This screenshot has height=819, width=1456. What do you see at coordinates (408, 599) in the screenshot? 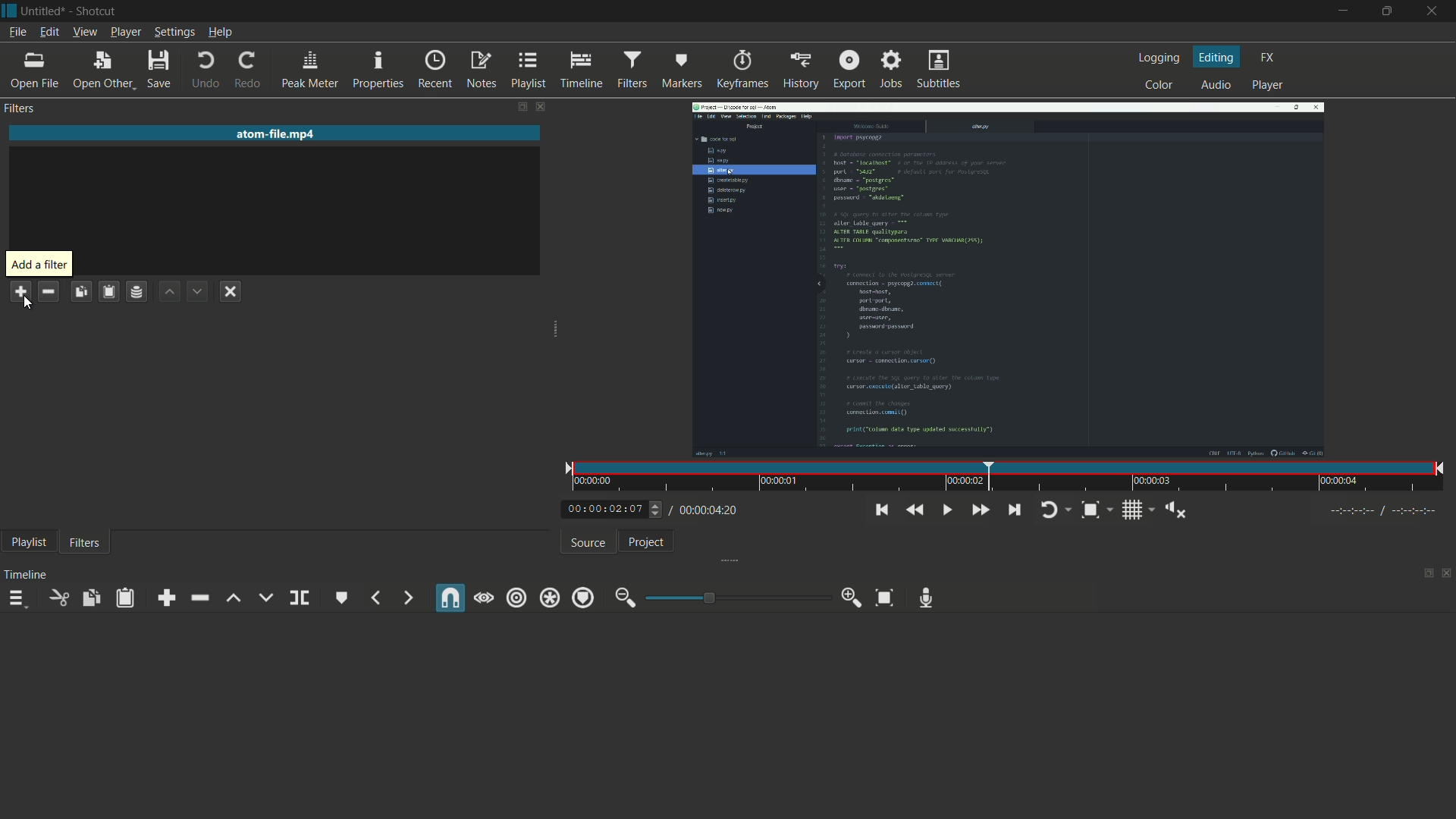
I see `next marker` at bounding box center [408, 599].